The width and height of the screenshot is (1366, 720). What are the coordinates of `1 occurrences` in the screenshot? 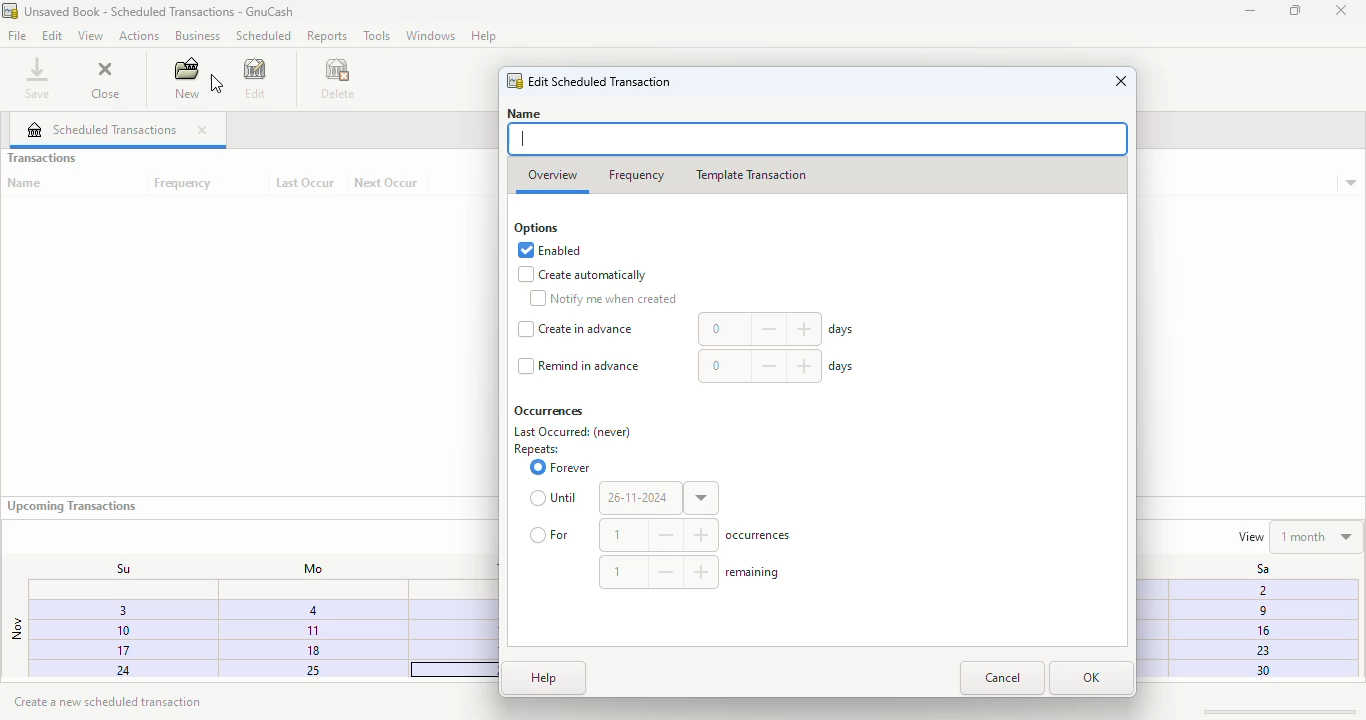 It's located at (698, 535).